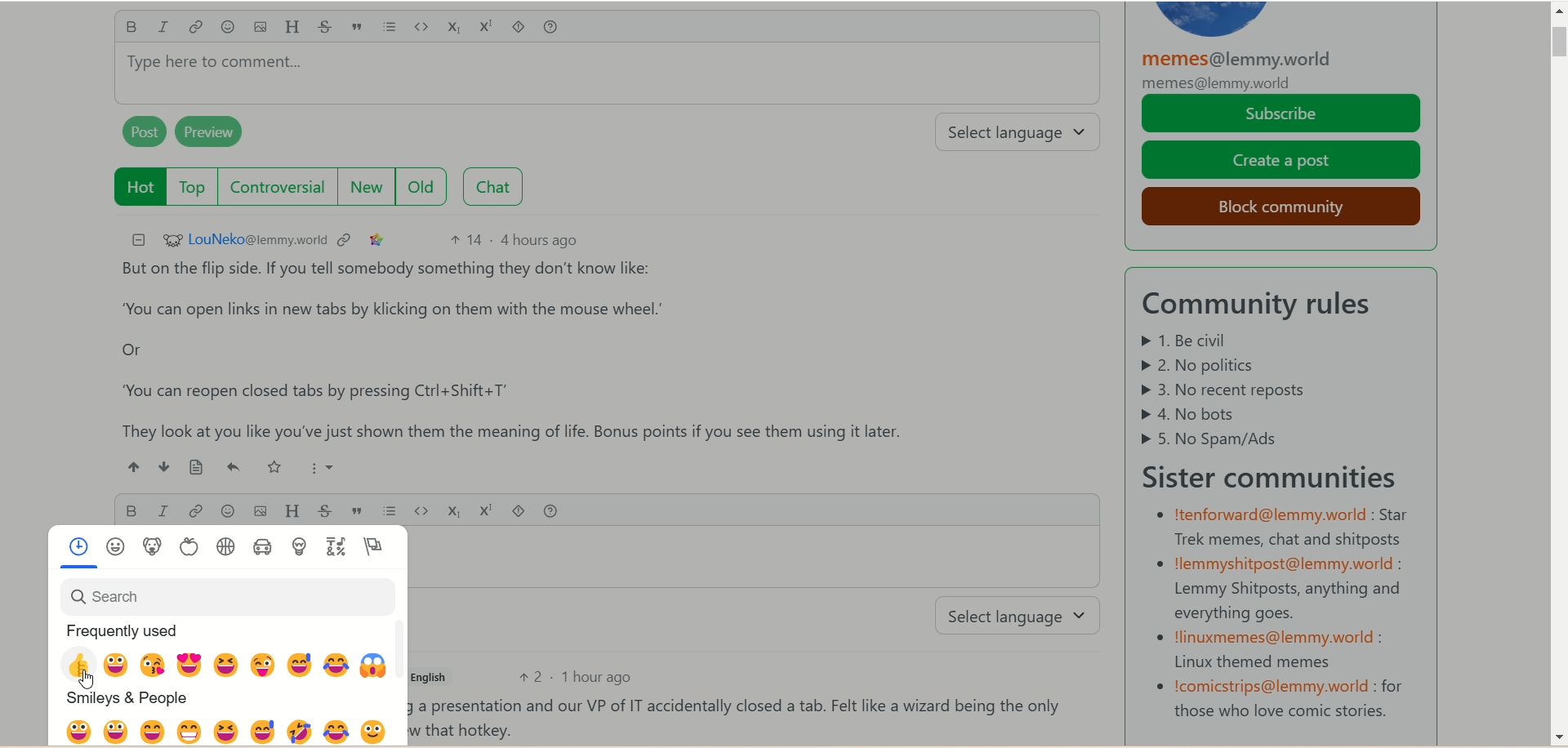 This screenshot has width=1568, height=748. Describe the element at coordinates (1025, 134) in the screenshot. I see `select language` at that location.